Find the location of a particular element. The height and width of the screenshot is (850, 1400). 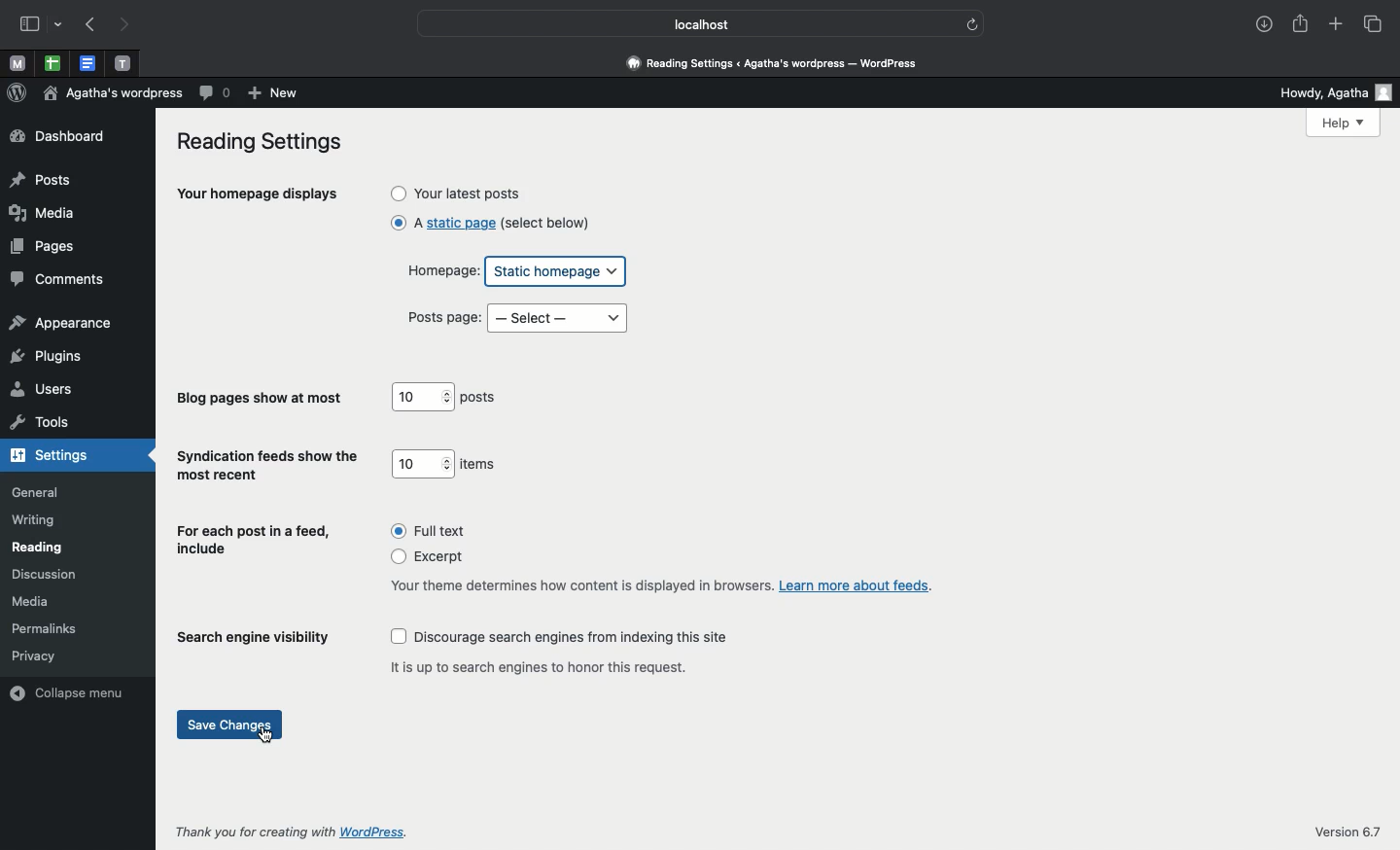

reading settings < Agatha's wordpress - wordpress is located at coordinates (783, 64).